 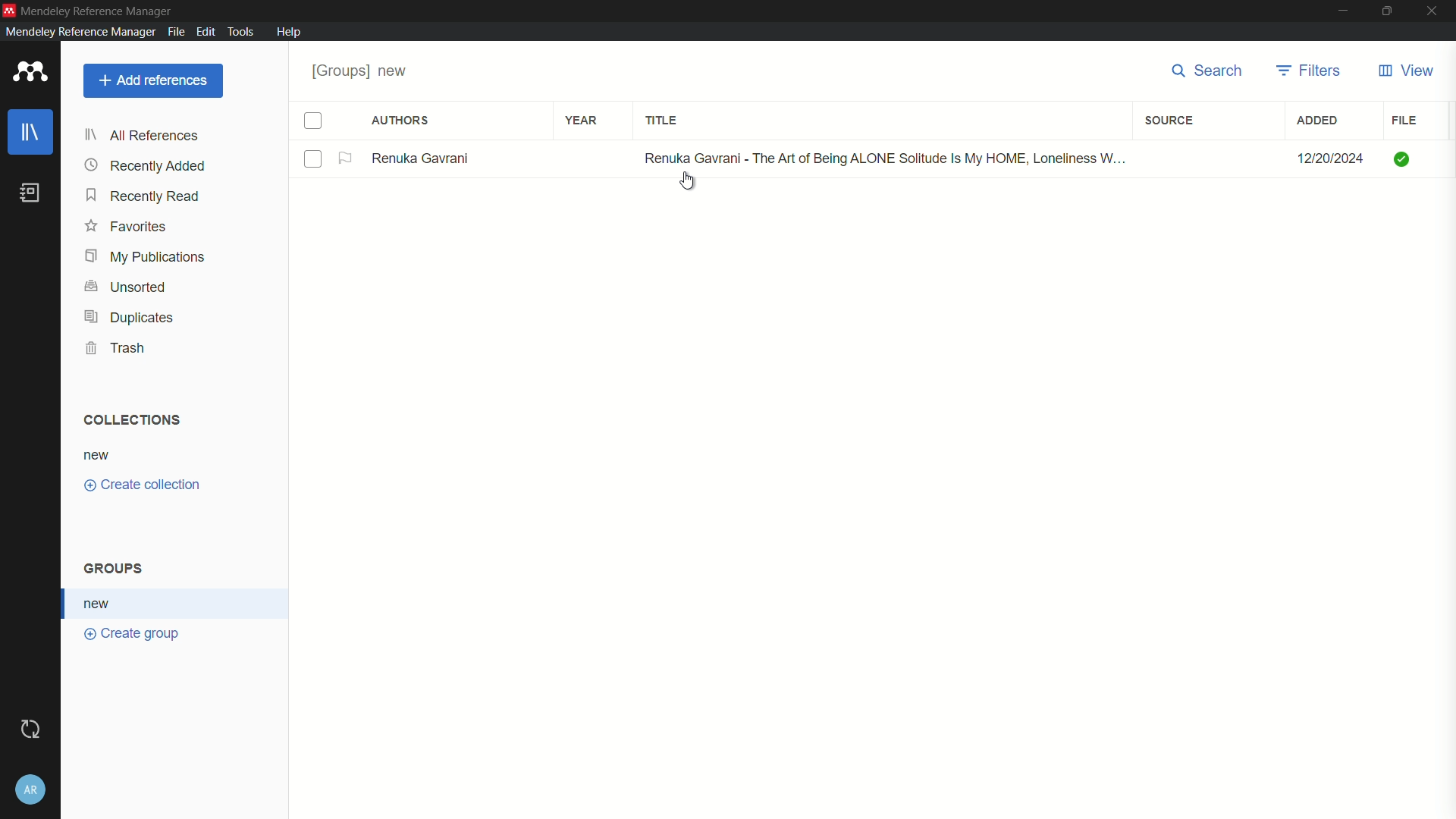 What do you see at coordinates (314, 160) in the screenshot?
I see `un(select)` at bounding box center [314, 160].